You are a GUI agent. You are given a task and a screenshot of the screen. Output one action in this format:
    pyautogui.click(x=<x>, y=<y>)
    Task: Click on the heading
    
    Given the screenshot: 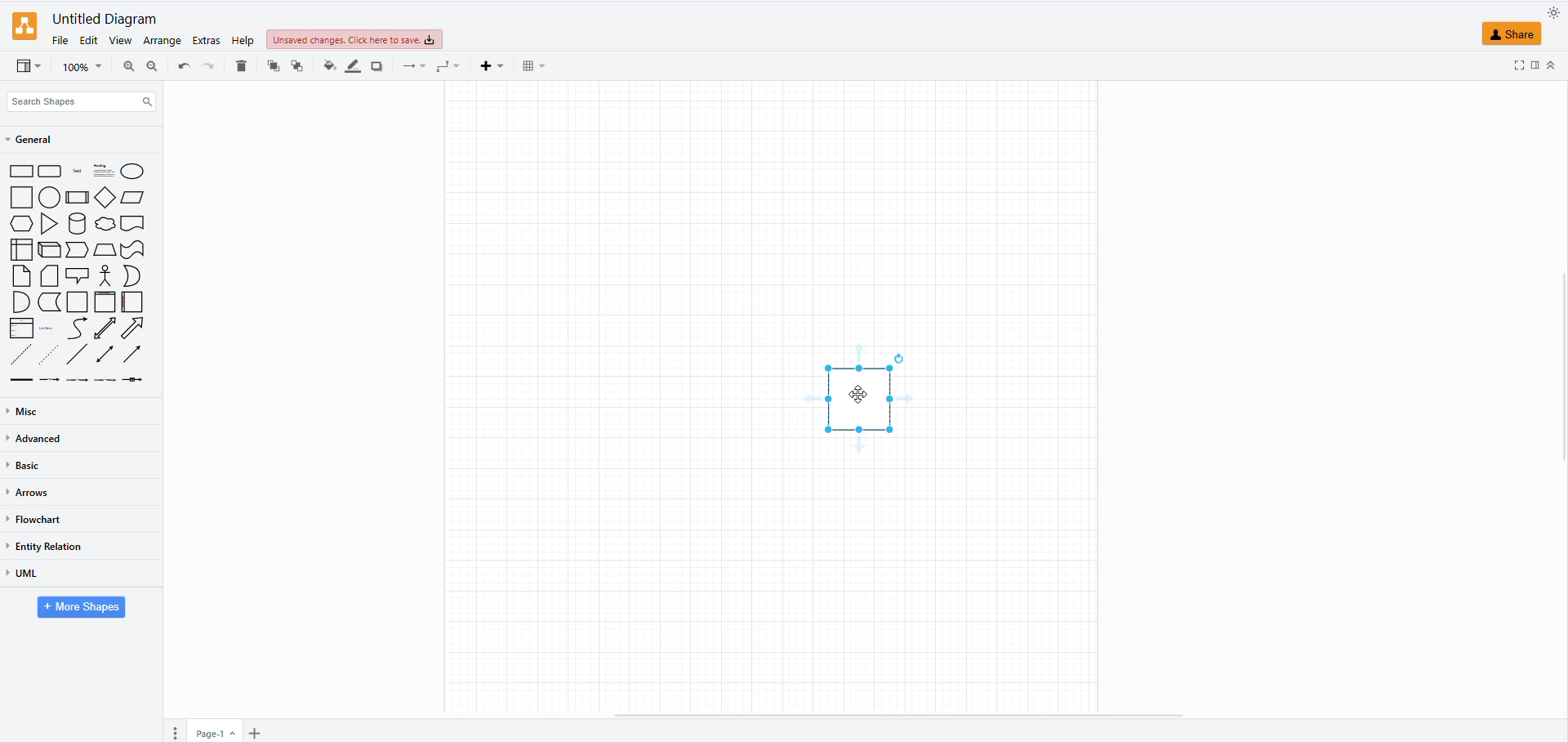 What is the action you would take?
    pyautogui.click(x=102, y=171)
    